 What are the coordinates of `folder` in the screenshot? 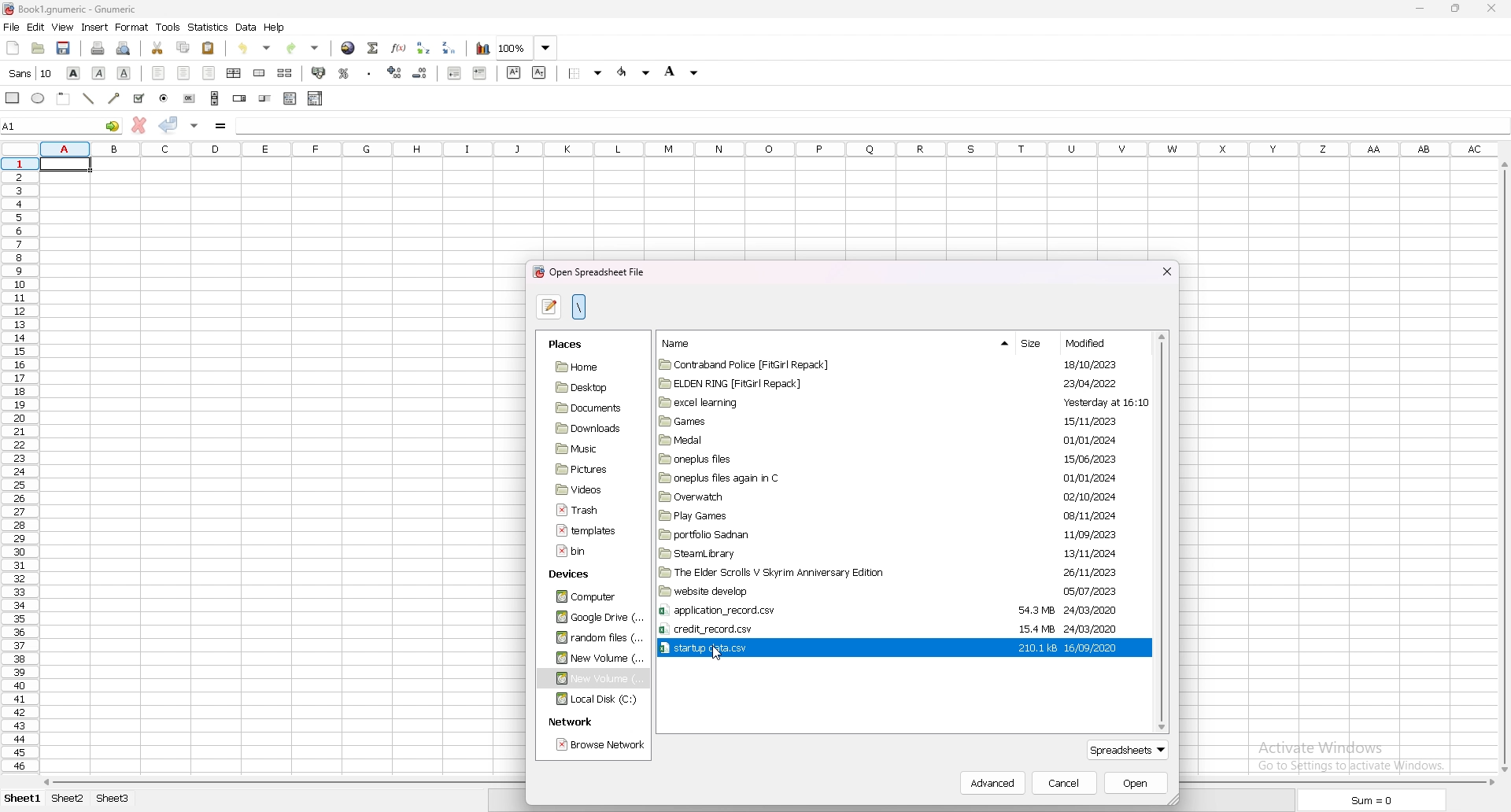 It's located at (588, 469).